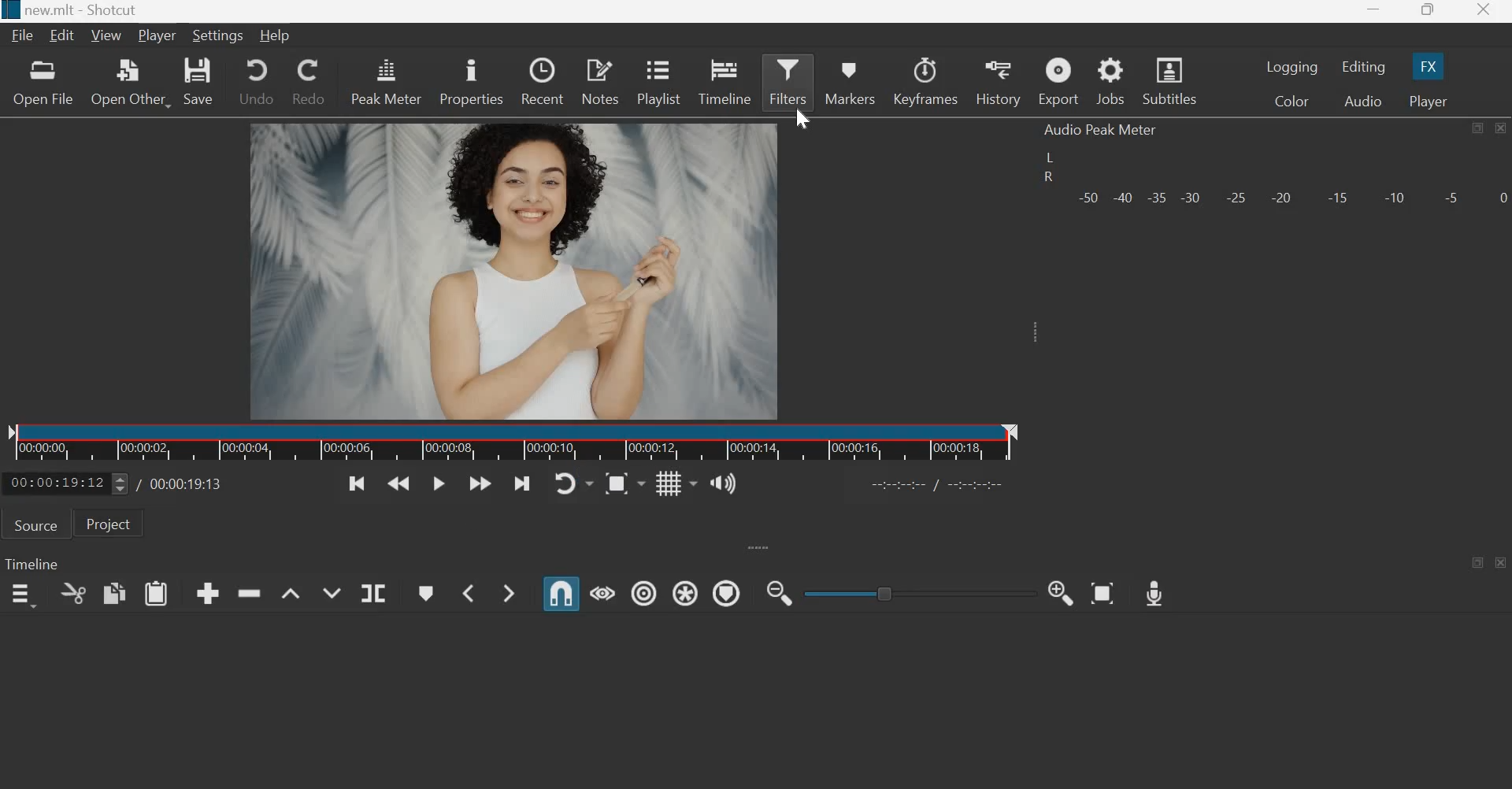  What do you see at coordinates (603, 593) in the screenshot?
I see `Scrub while dragging` at bounding box center [603, 593].